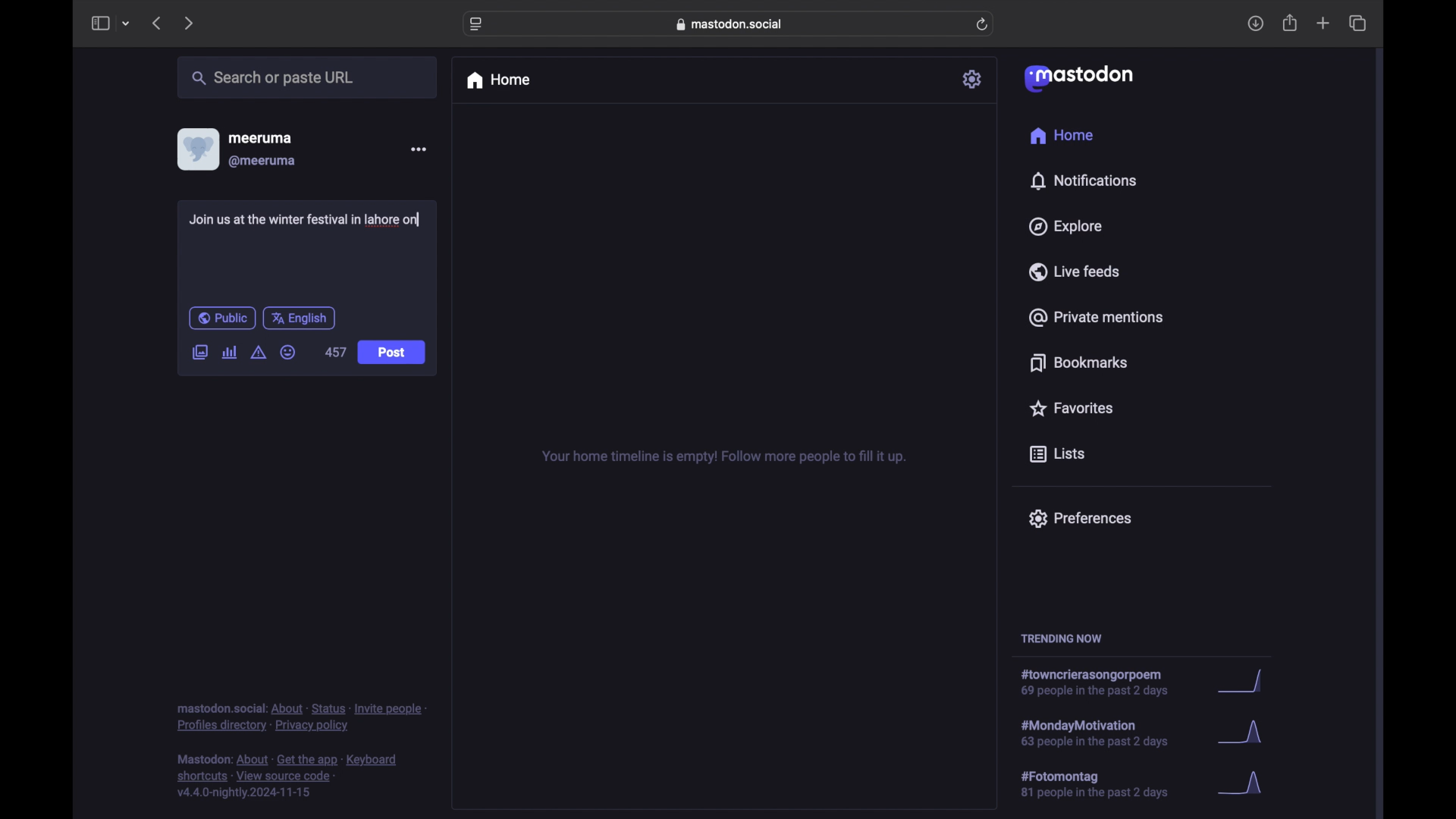 The width and height of the screenshot is (1456, 819). What do you see at coordinates (733, 24) in the screenshot?
I see `web address` at bounding box center [733, 24].